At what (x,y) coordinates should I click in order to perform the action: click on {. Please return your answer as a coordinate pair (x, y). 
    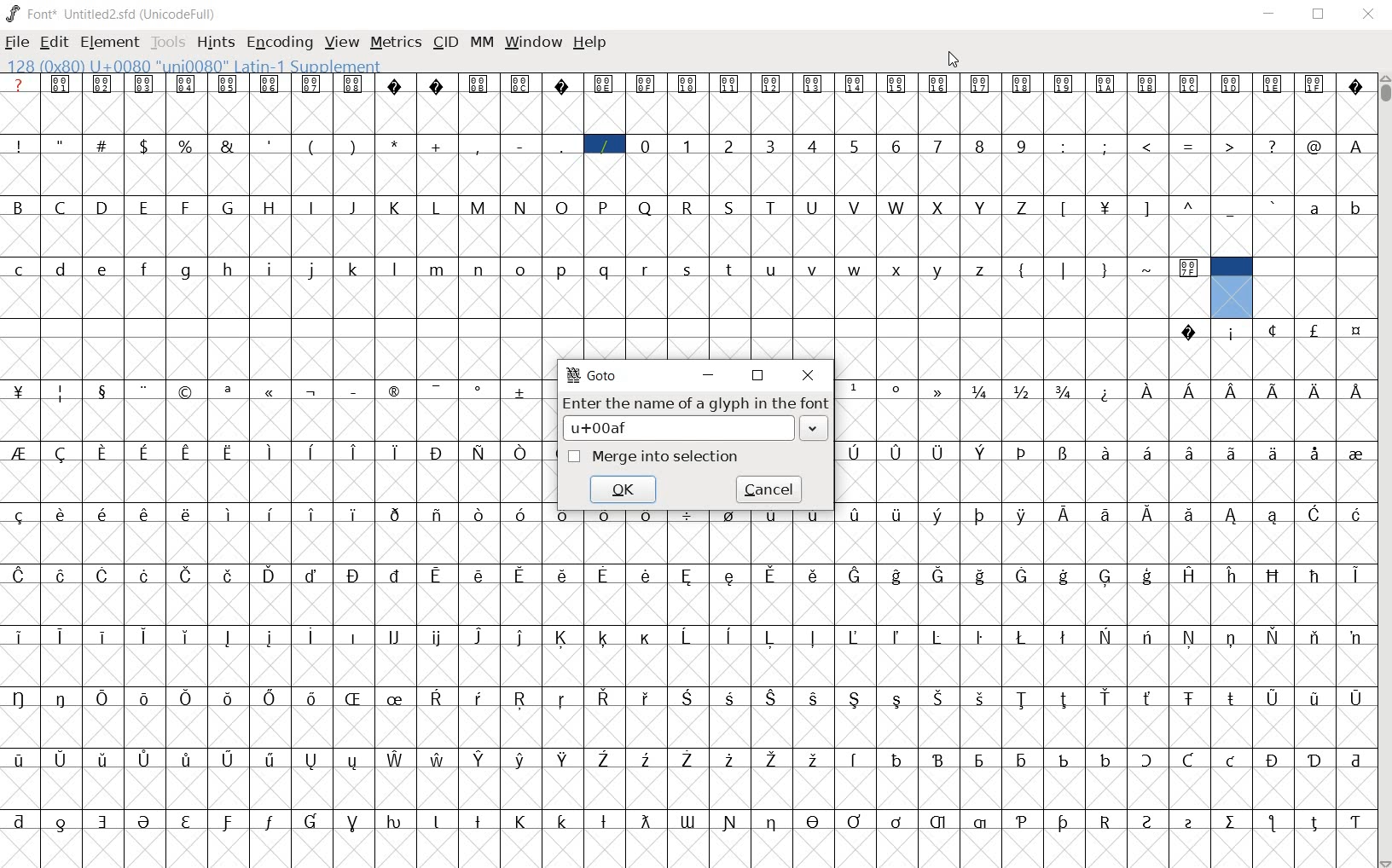
    Looking at the image, I should click on (1024, 269).